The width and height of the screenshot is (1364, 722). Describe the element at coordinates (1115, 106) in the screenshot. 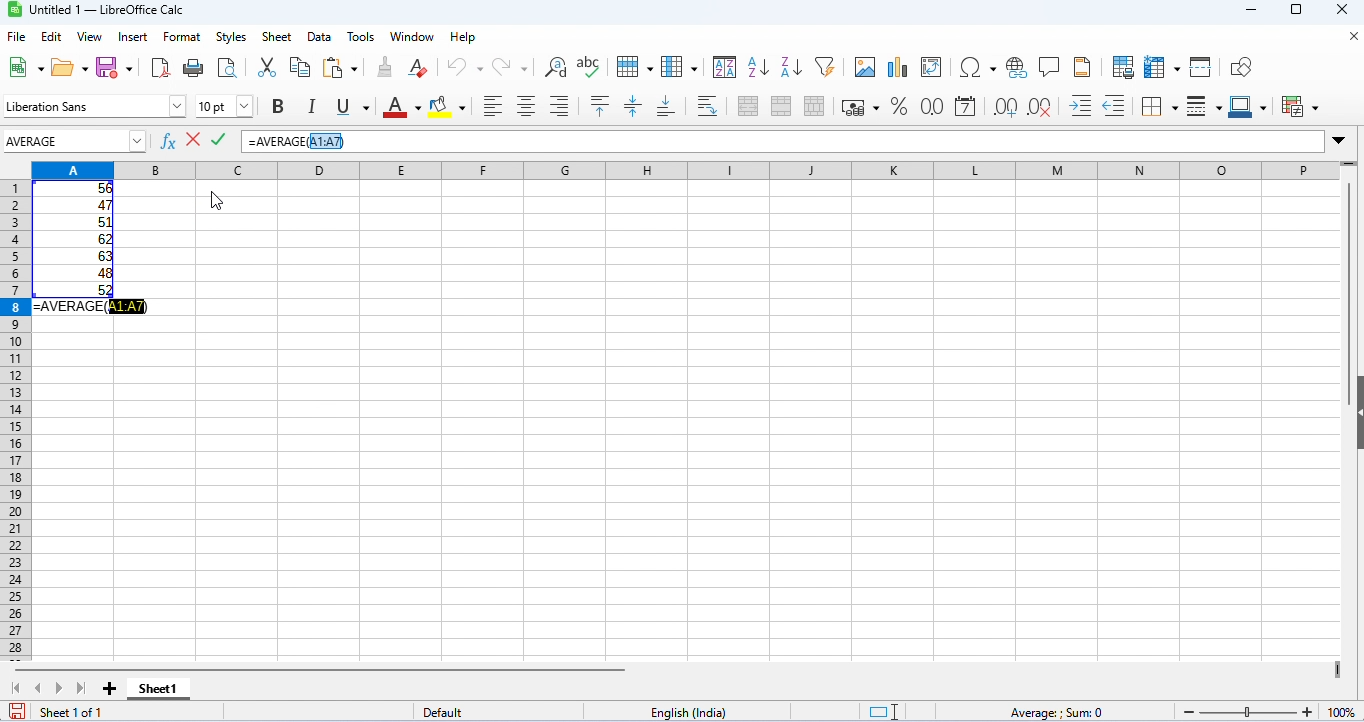

I see `decrease indent` at that location.